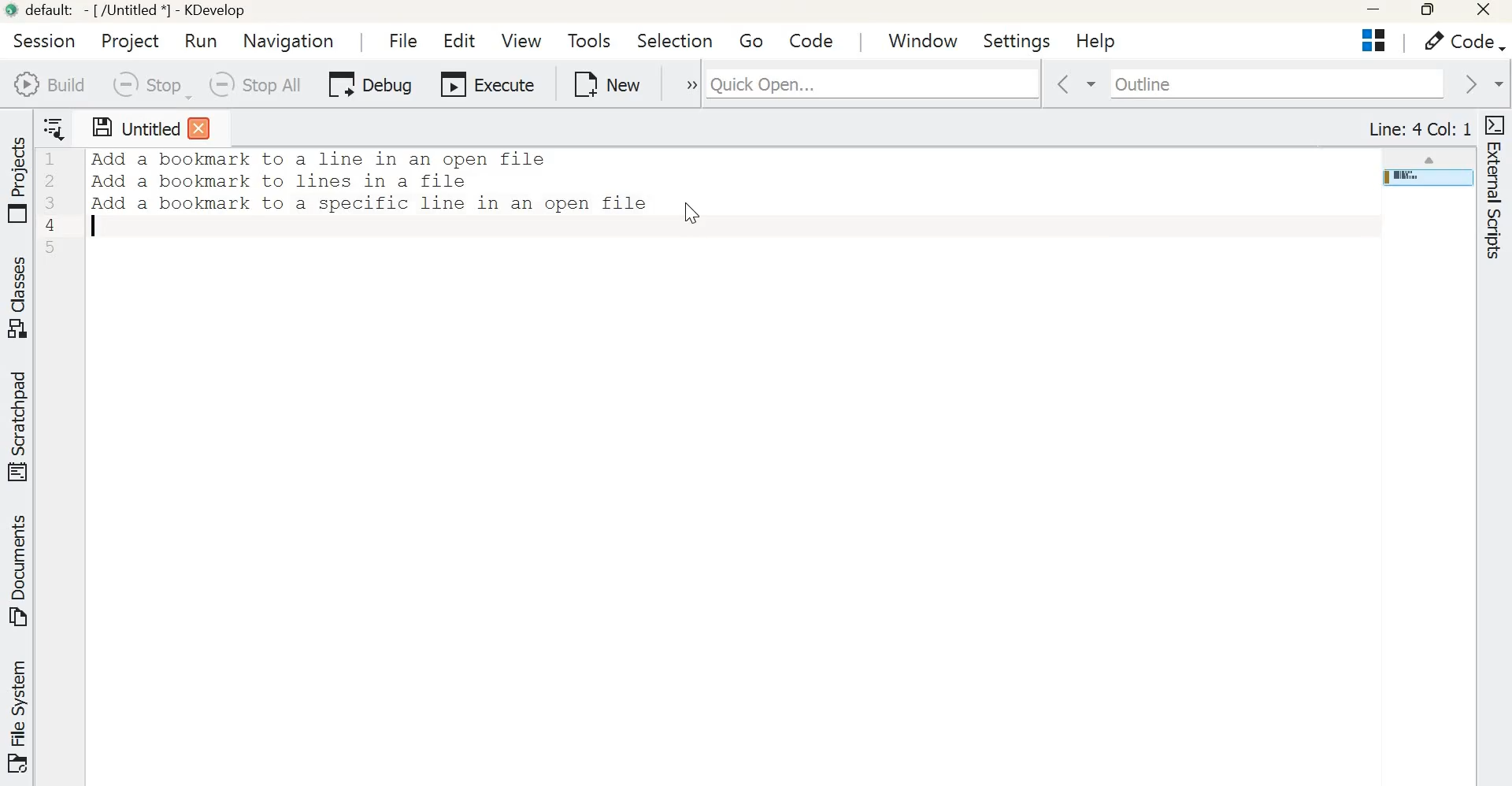 The width and height of the screenshot is (1512, 786). What do you see at coordinates (1017, 39) in the screenshot?
I see `Settings` at bounding box center [1017, 39].